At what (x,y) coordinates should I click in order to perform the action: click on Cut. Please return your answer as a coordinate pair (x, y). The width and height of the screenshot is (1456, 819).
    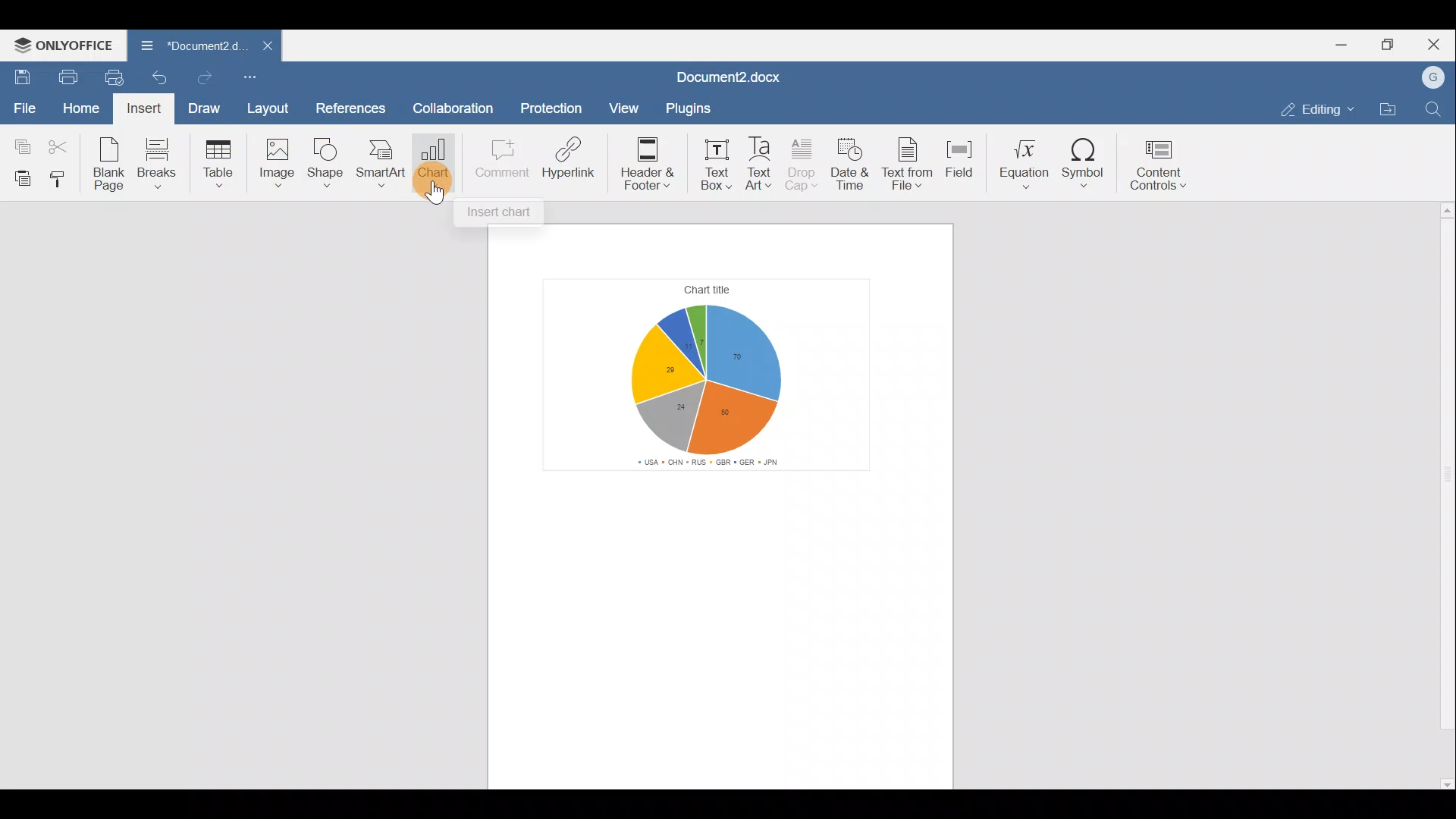
    Looking at the image, I should click on (63, 146).